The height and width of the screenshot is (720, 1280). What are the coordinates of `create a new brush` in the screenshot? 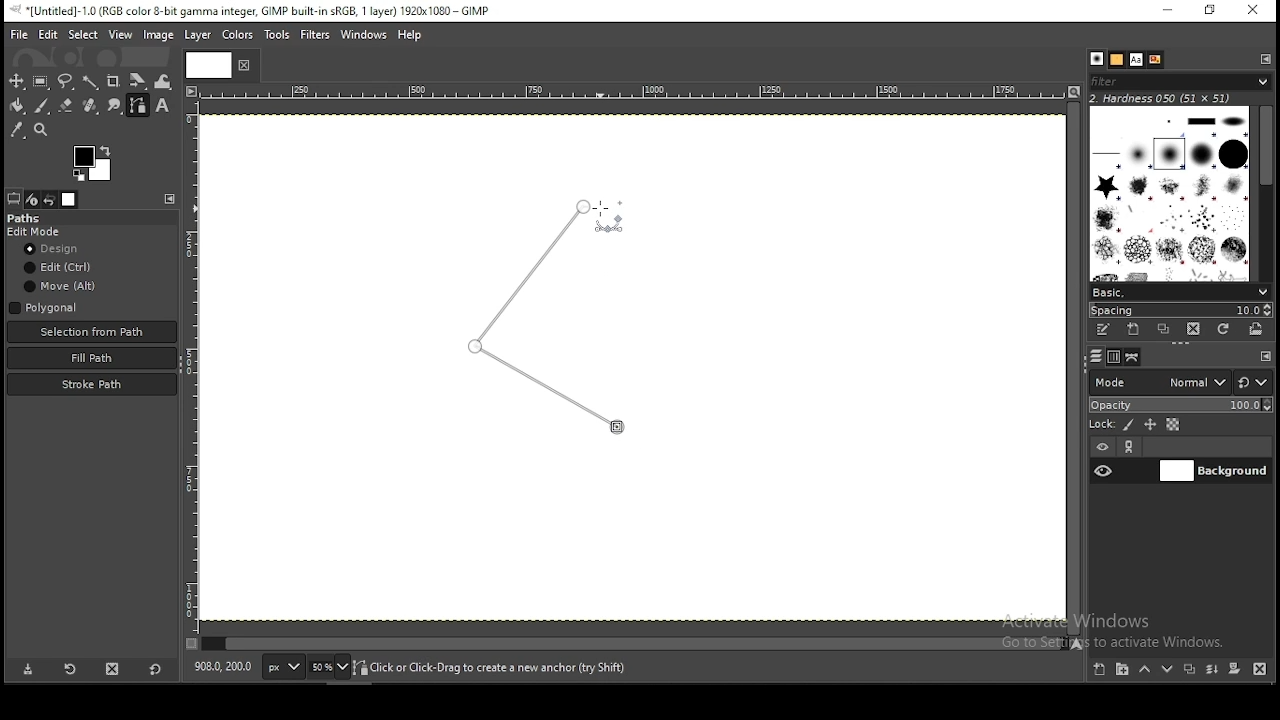 It's located at (1135, 329).